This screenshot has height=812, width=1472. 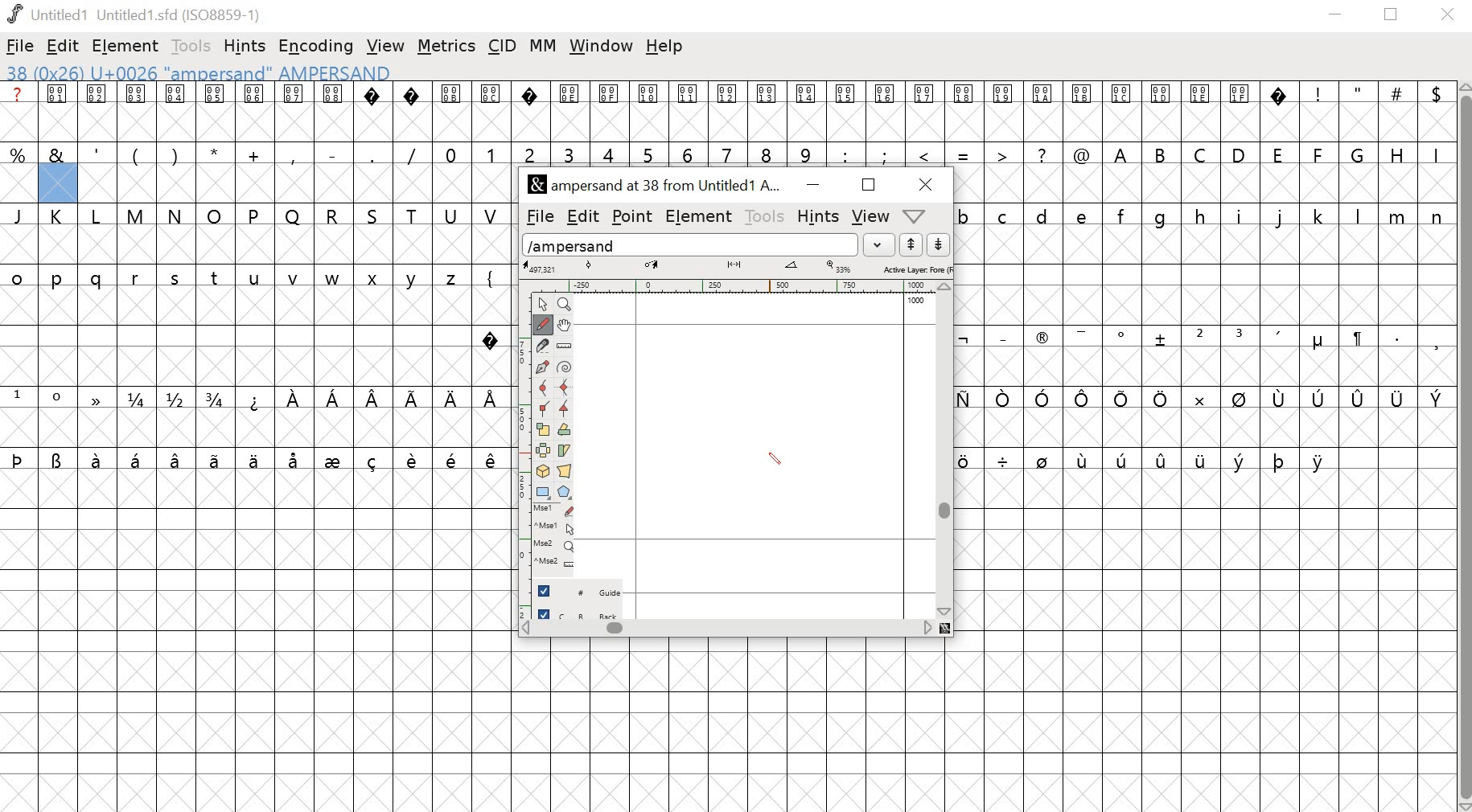 What do you see at coordinates (1279, 153) in the screenshot?
I see `E` at bounding box center [1279, 153].